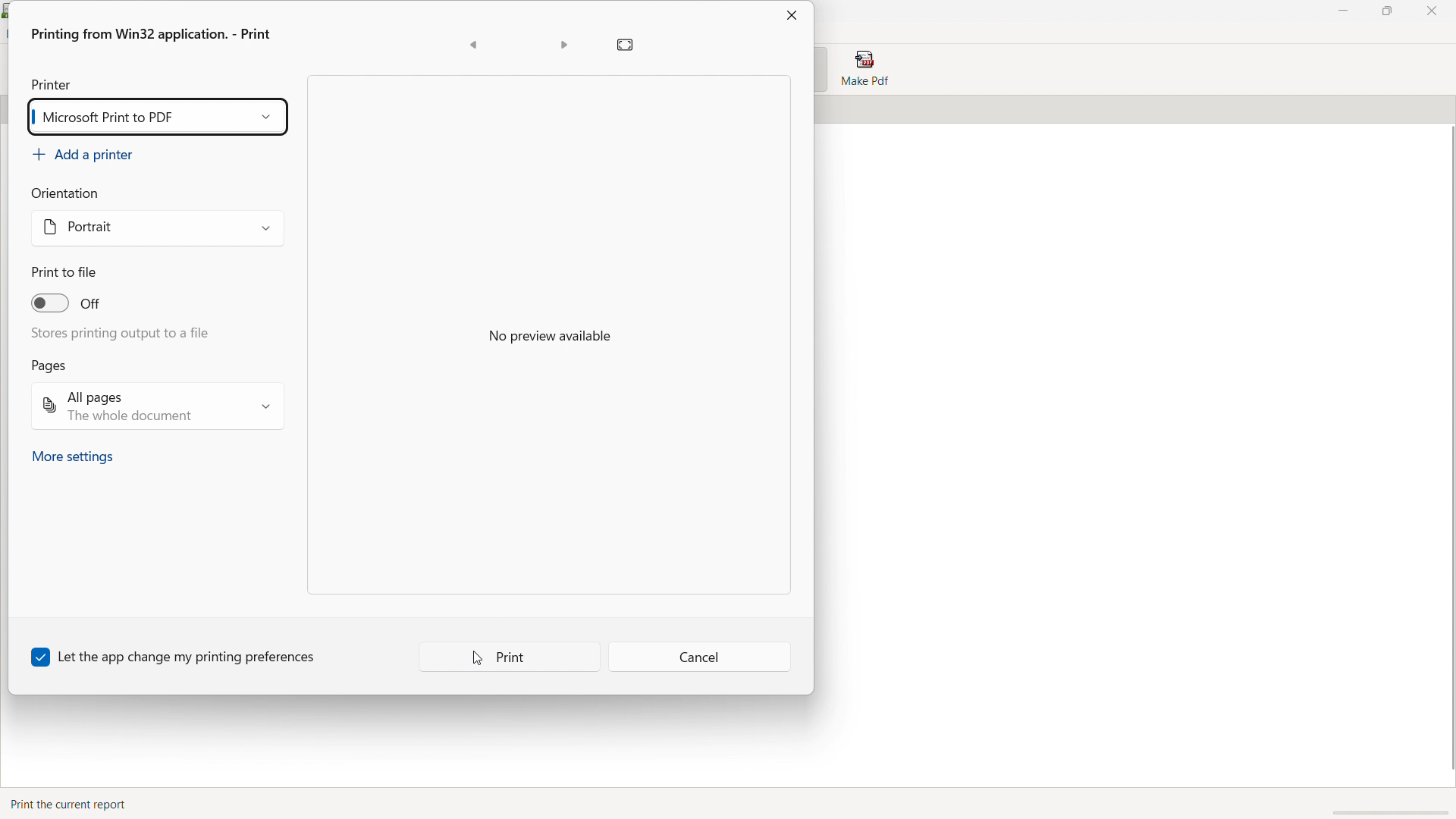  What do you see at coordinates (150, 35) in the screenshot?
I see `print dialogbox` at bounding box center [150, 35].